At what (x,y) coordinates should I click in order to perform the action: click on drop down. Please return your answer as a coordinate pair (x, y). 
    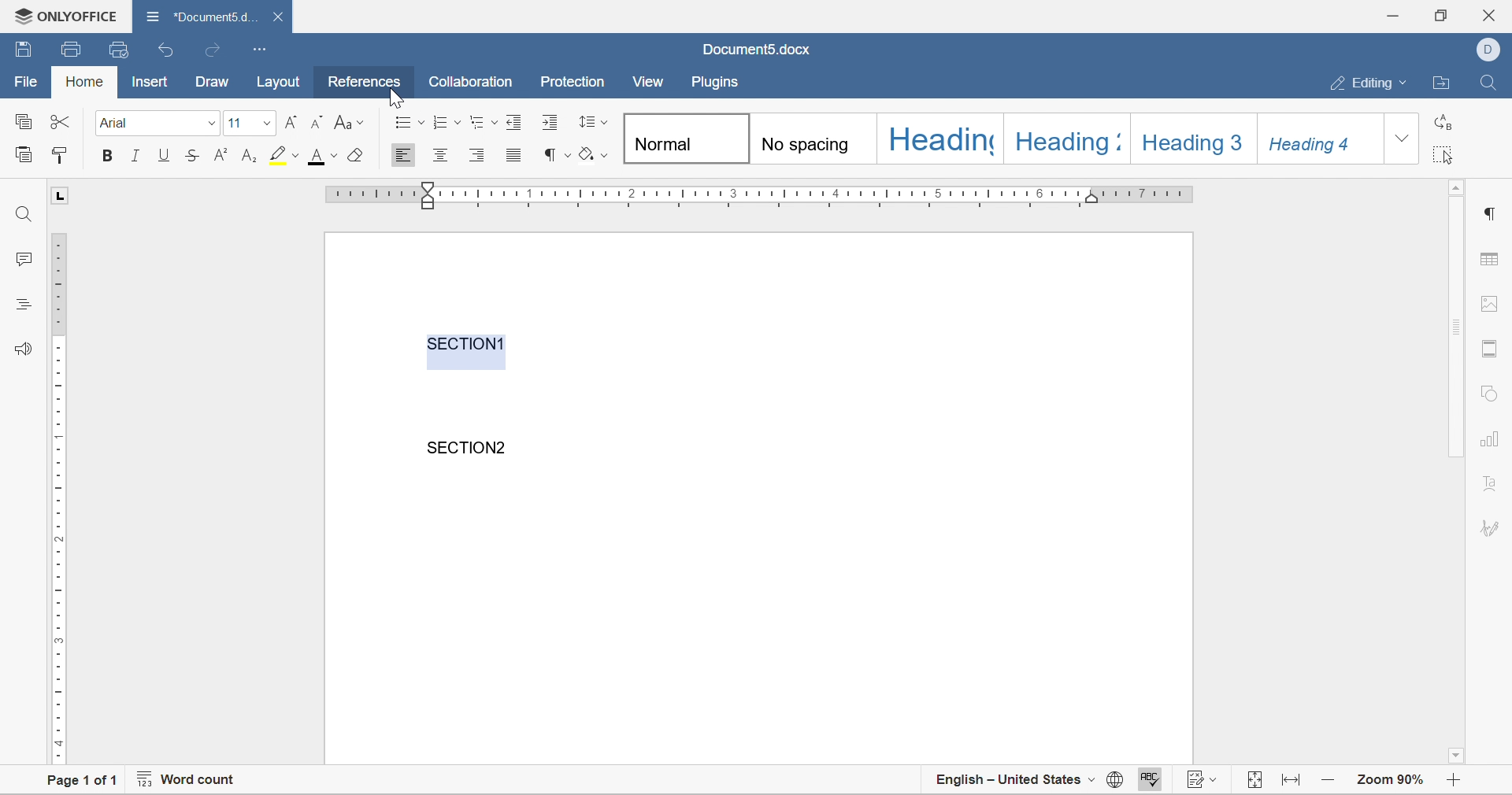
    Looking at the image, I should click on (264, 122).